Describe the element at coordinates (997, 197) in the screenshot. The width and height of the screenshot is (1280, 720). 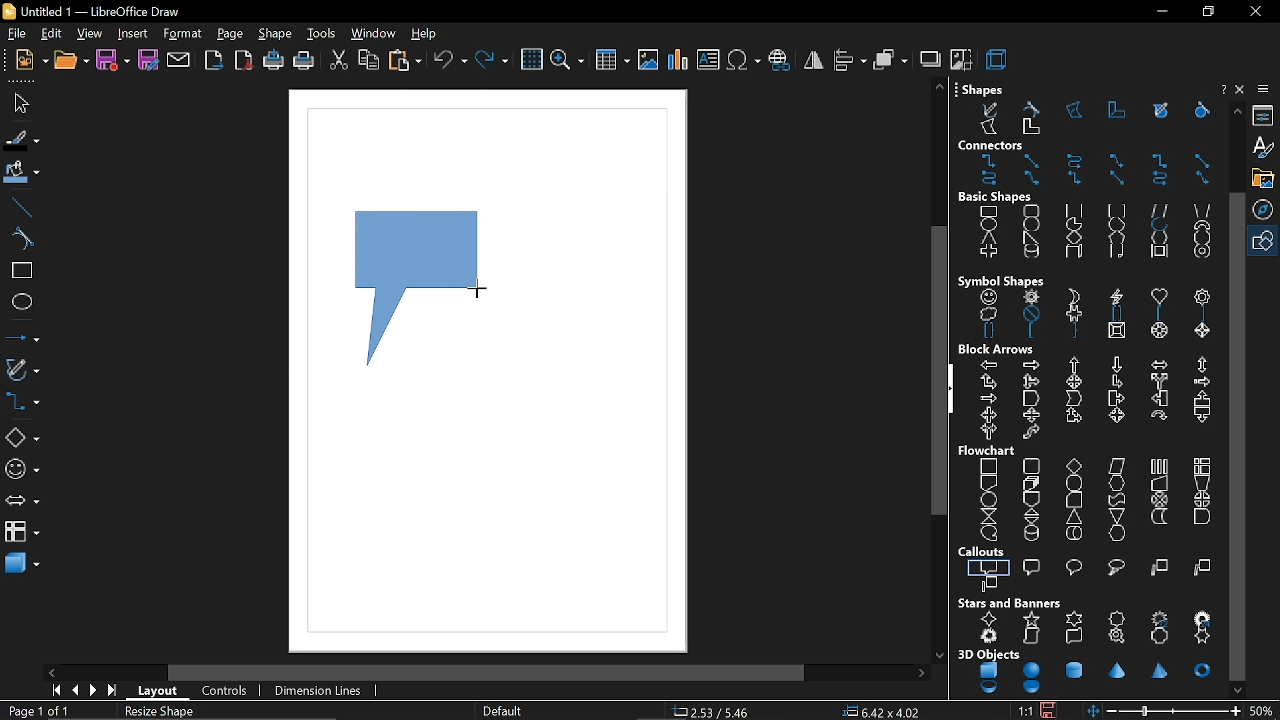
I see `basic shapes` at that location.